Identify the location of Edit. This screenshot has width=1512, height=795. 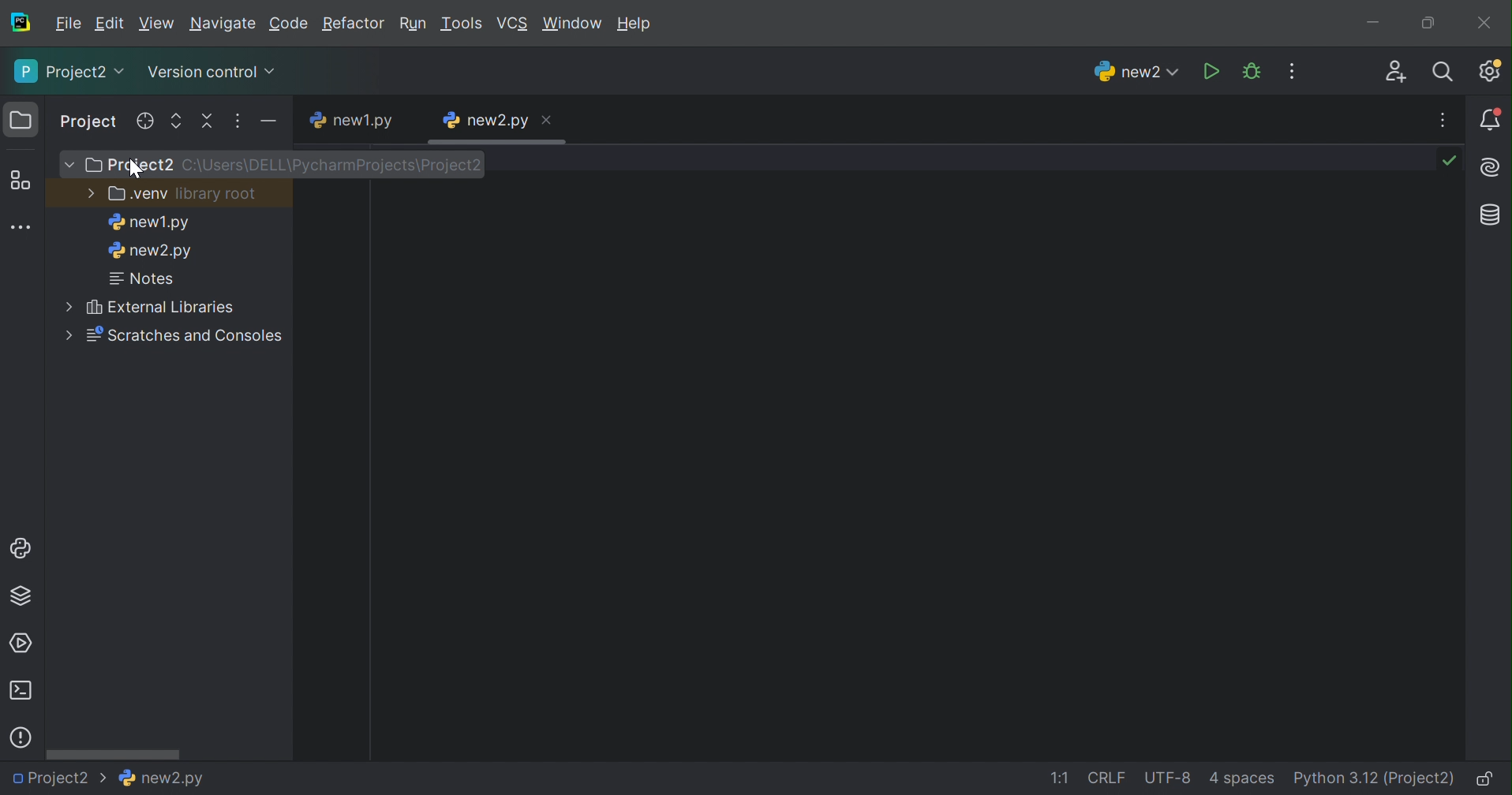
(157, 21).